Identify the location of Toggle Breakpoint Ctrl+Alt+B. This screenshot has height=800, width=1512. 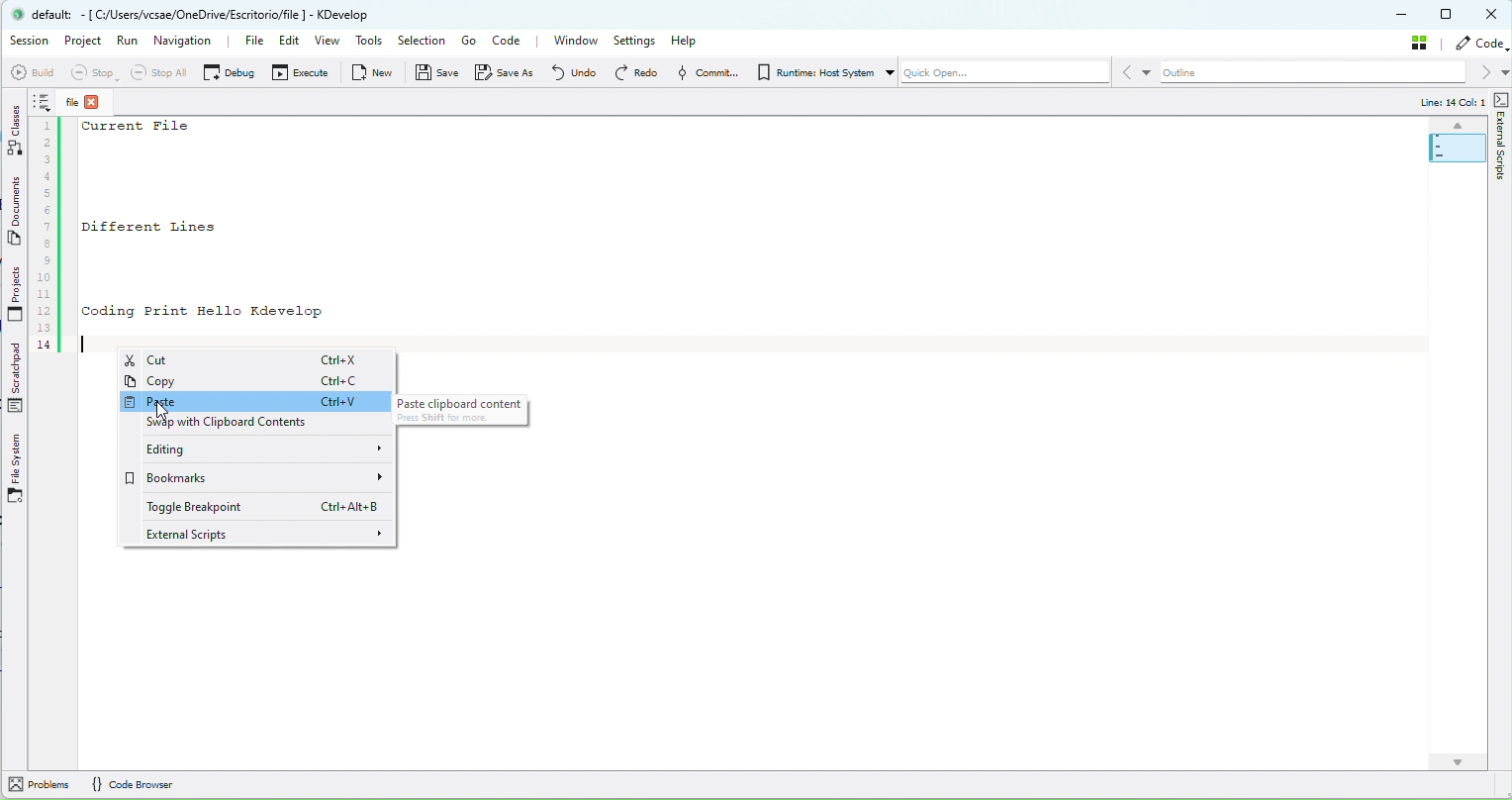
(260, 506).